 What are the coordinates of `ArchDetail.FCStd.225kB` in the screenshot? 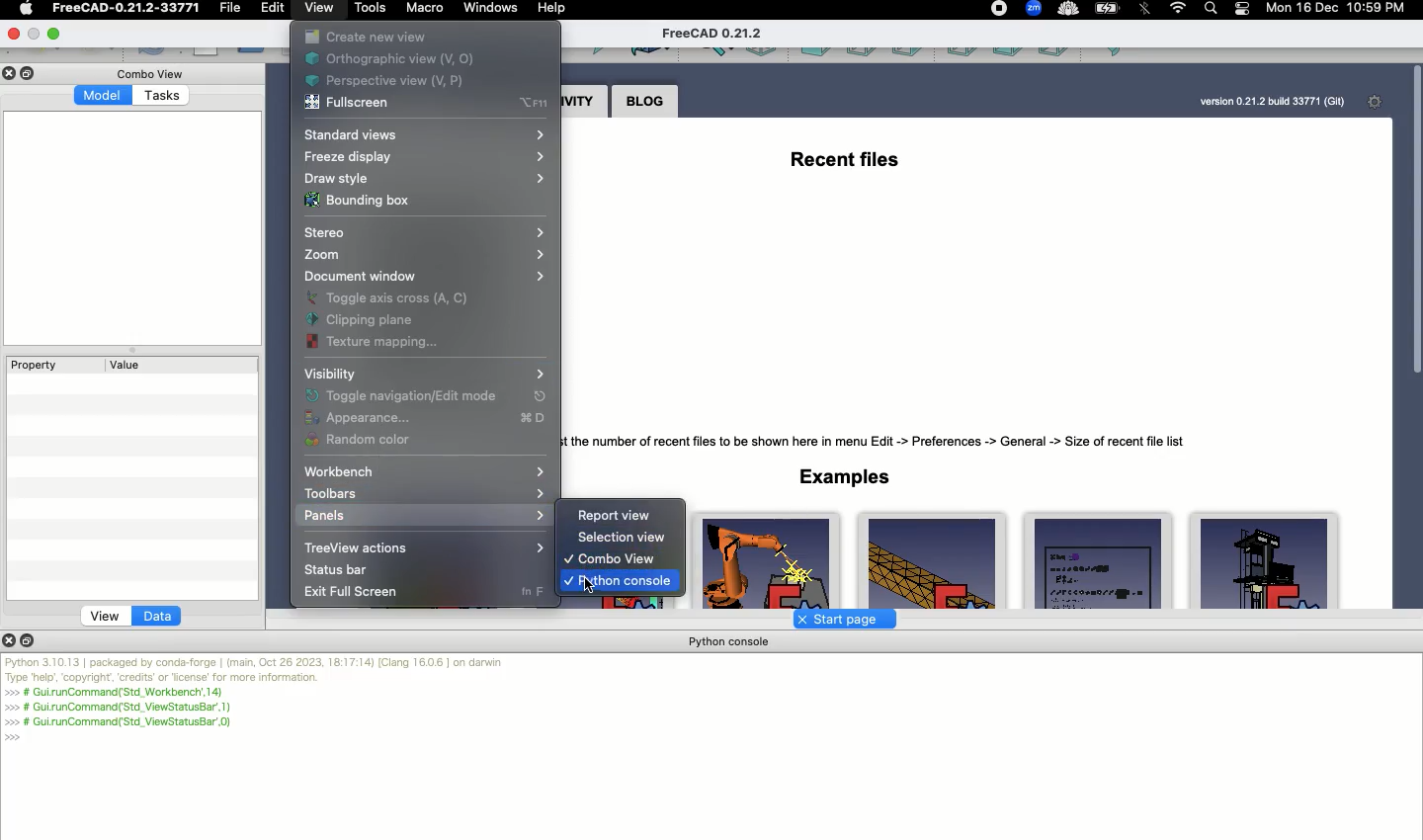 It's located at (1265, 561).